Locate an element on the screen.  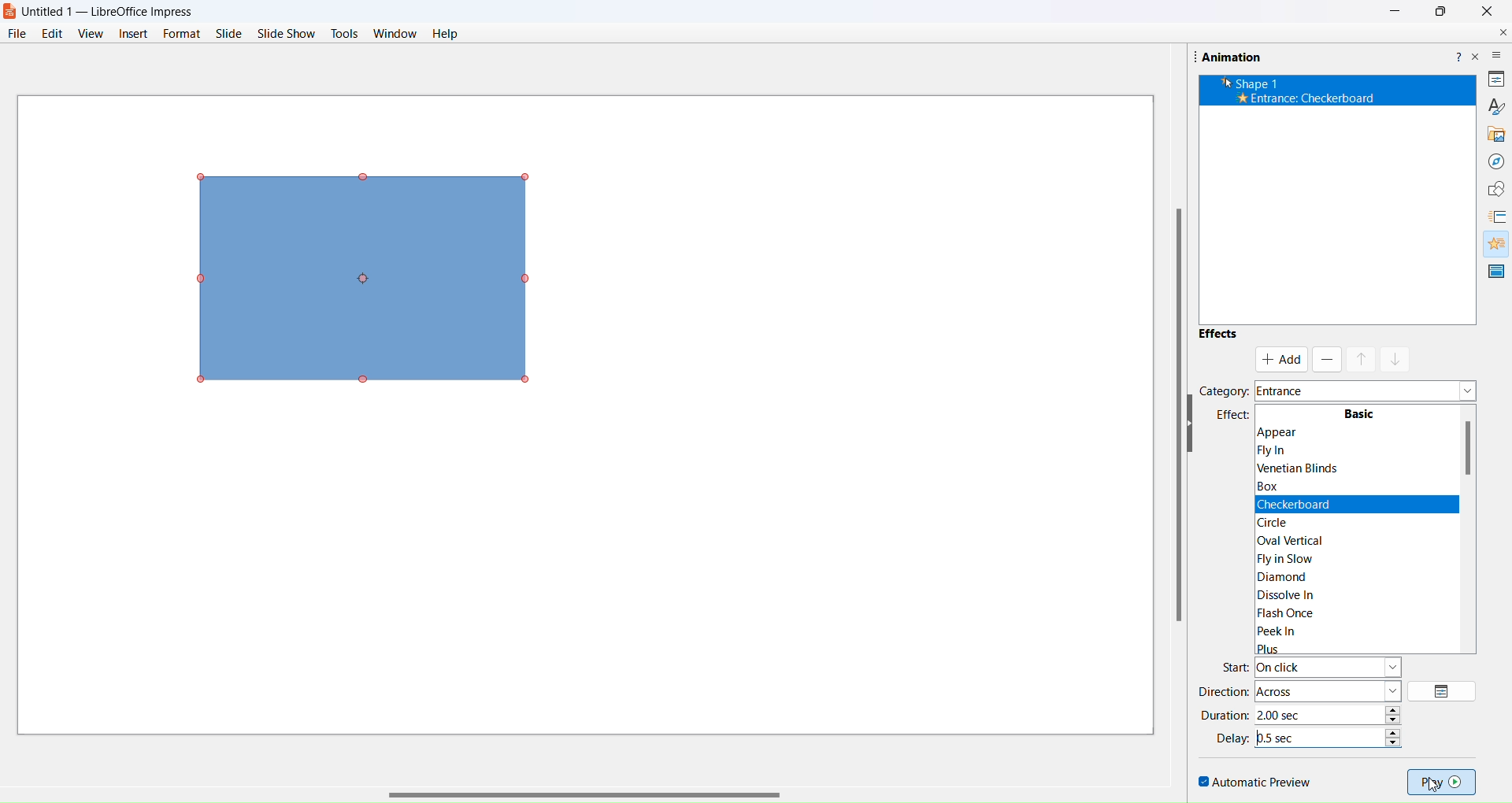
duration is located at coordinates (1228, 715).